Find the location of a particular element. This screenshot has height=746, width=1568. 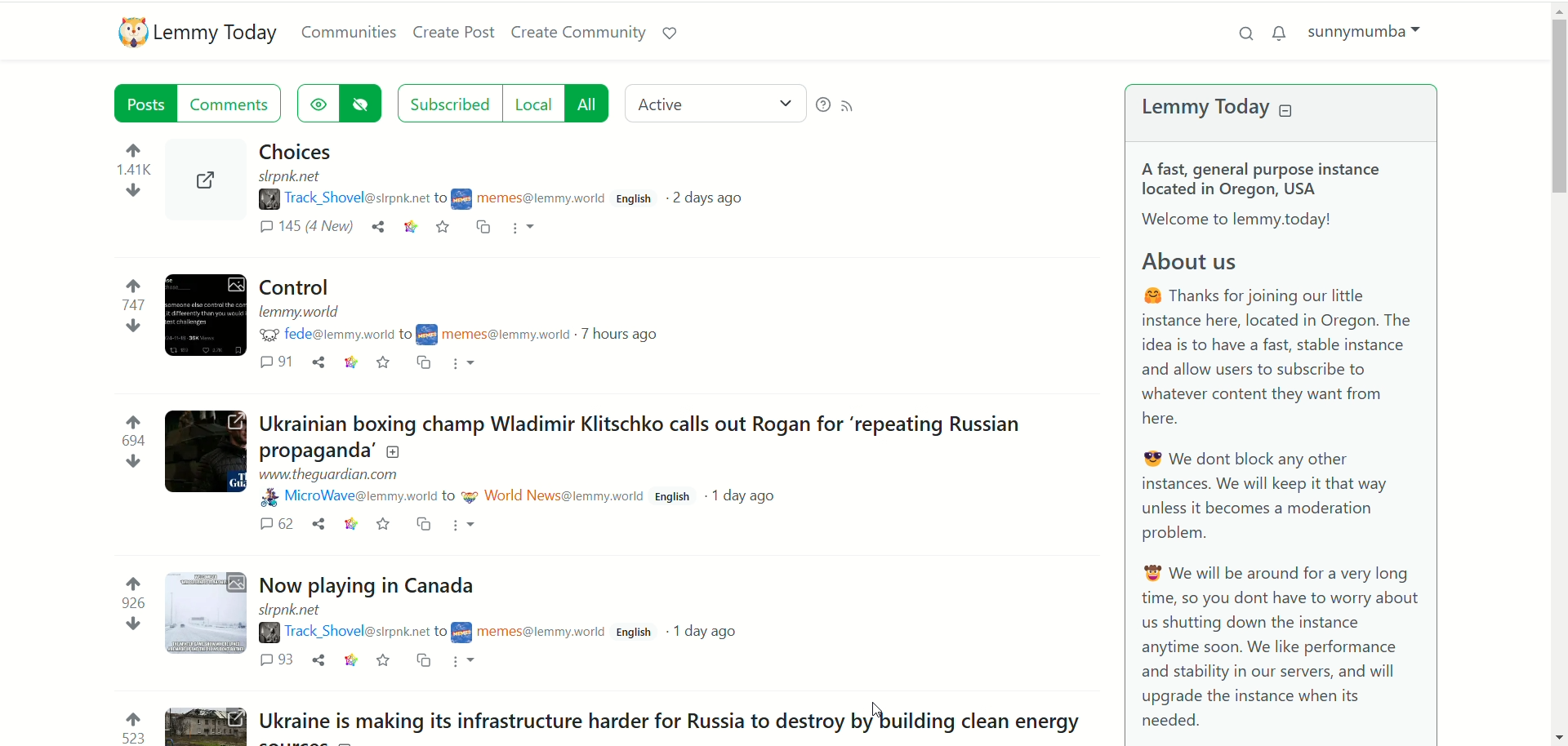

link is located at coordinates (352, 524).